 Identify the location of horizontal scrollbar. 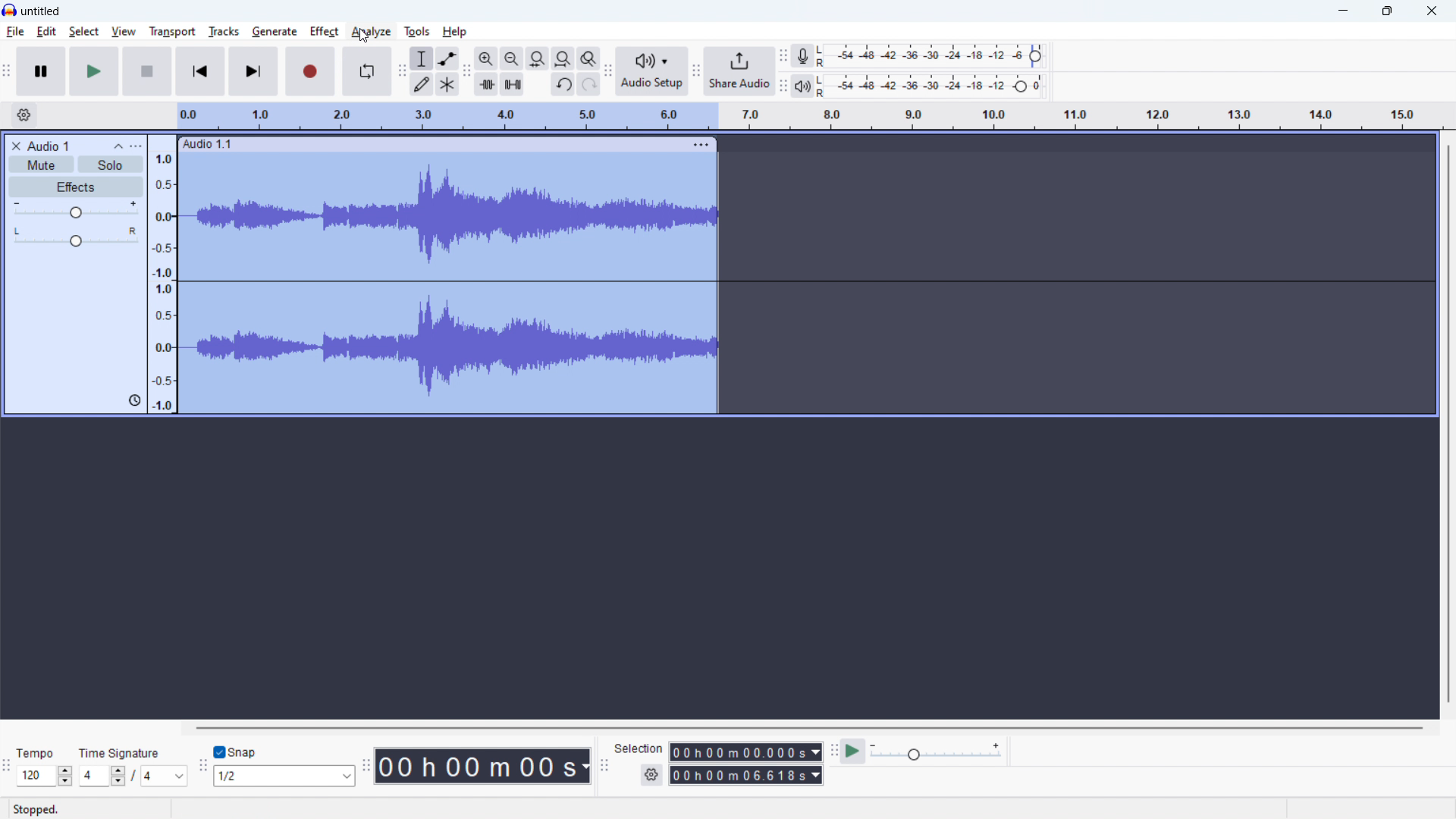
(809, 728).